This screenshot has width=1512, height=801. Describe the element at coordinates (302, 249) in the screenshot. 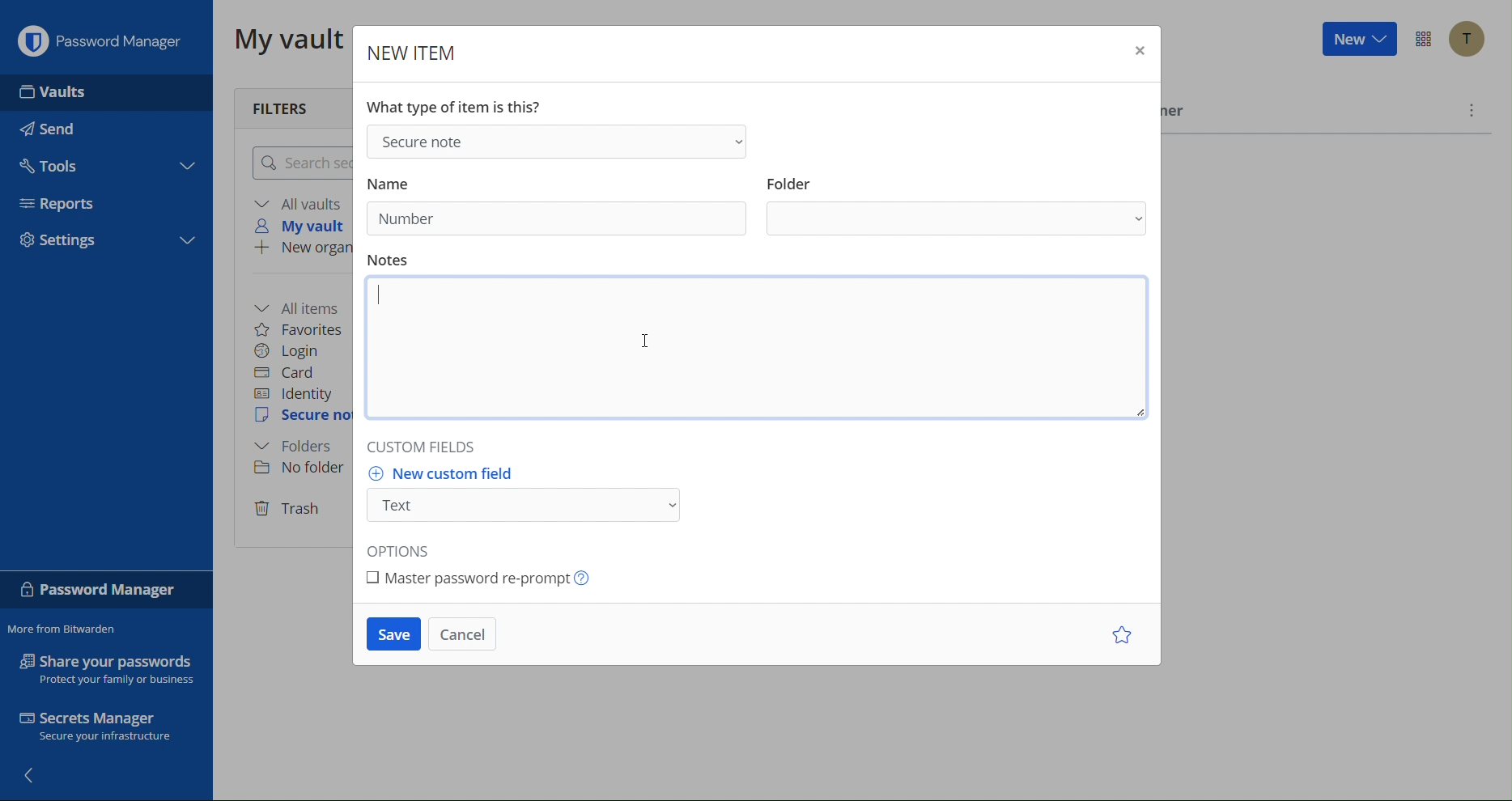

I see `New organization` at that location.